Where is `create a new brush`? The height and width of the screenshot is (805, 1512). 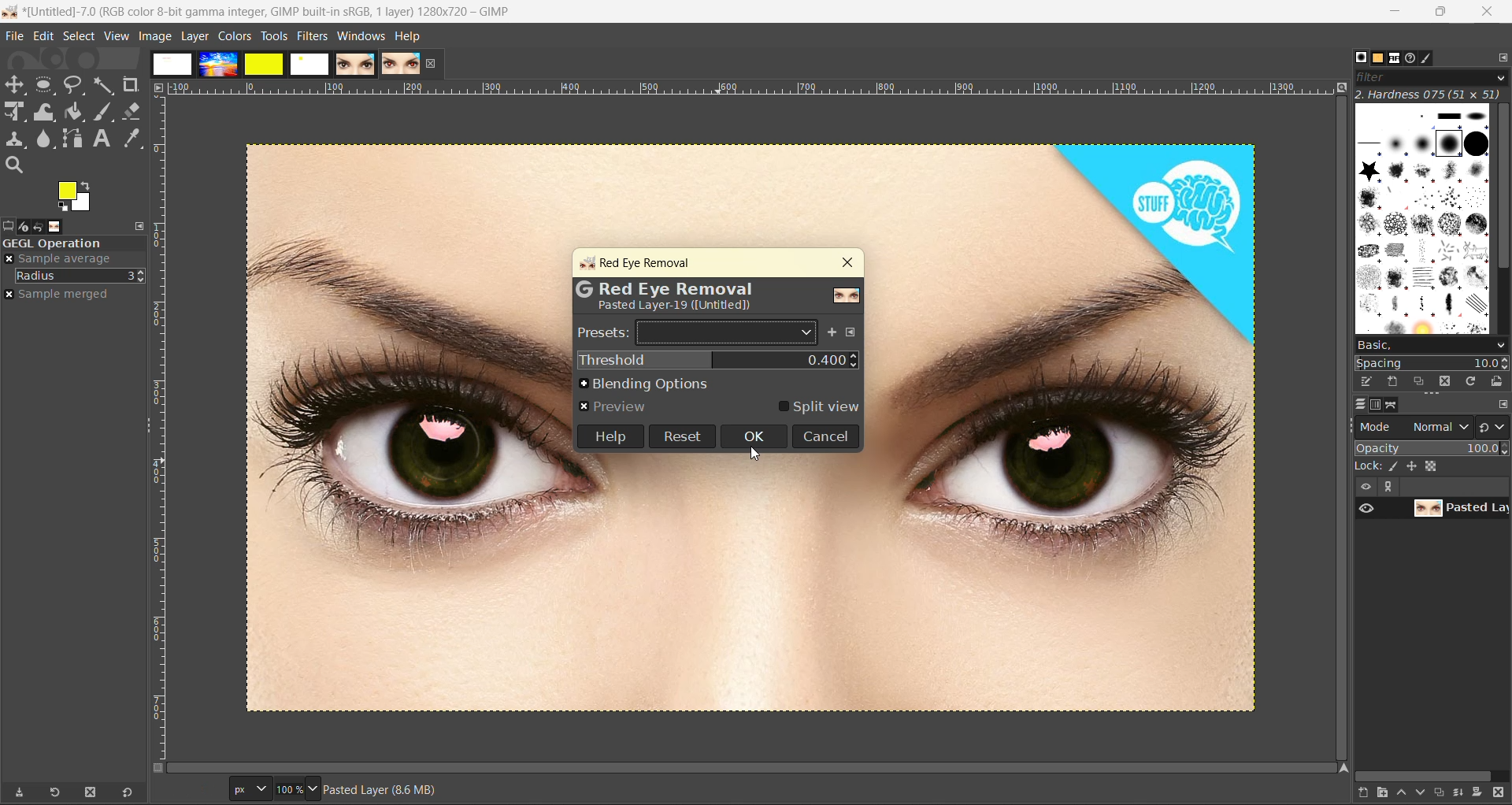
create a new brush is located at coordinates (1392, 381).